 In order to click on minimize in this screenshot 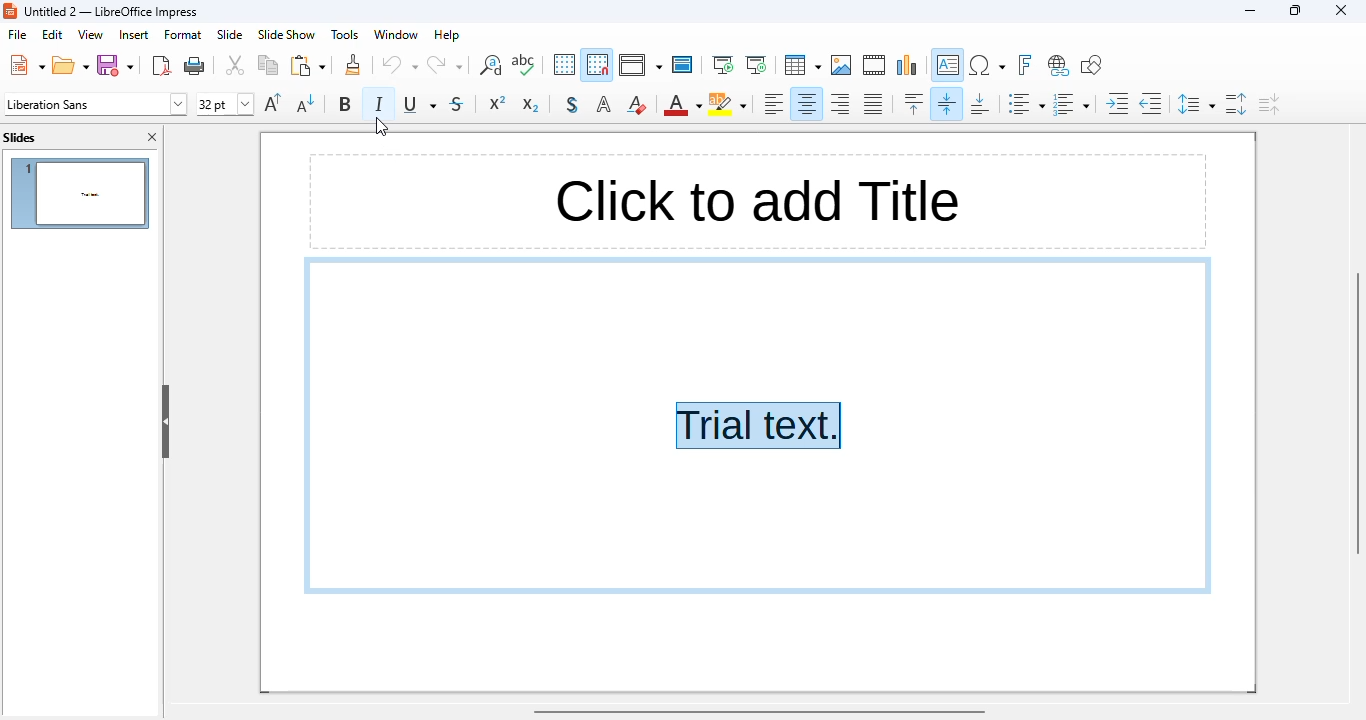, I will do `click(1250, 11)`.